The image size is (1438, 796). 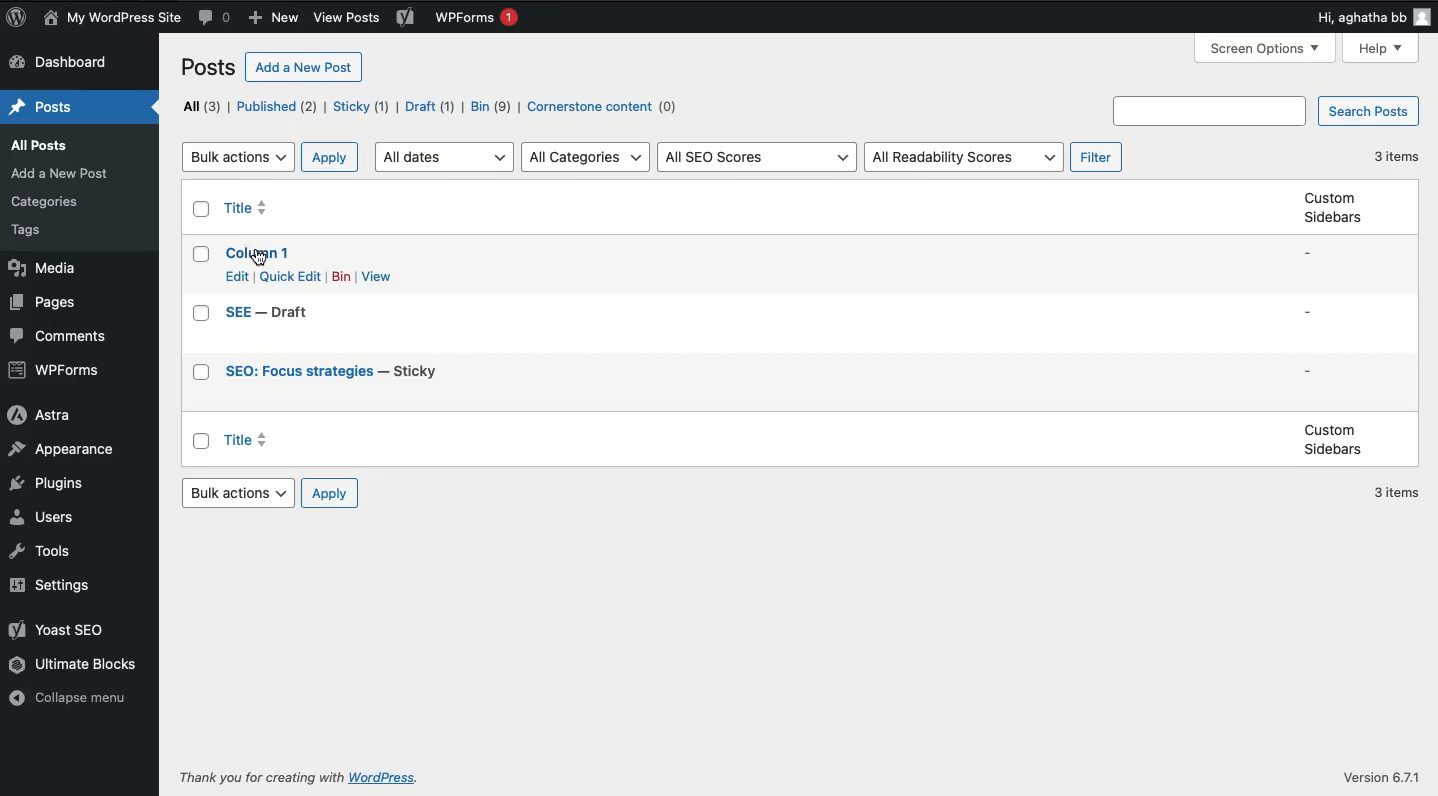 I want to click on Checkbox, so click(x=203, y=372).